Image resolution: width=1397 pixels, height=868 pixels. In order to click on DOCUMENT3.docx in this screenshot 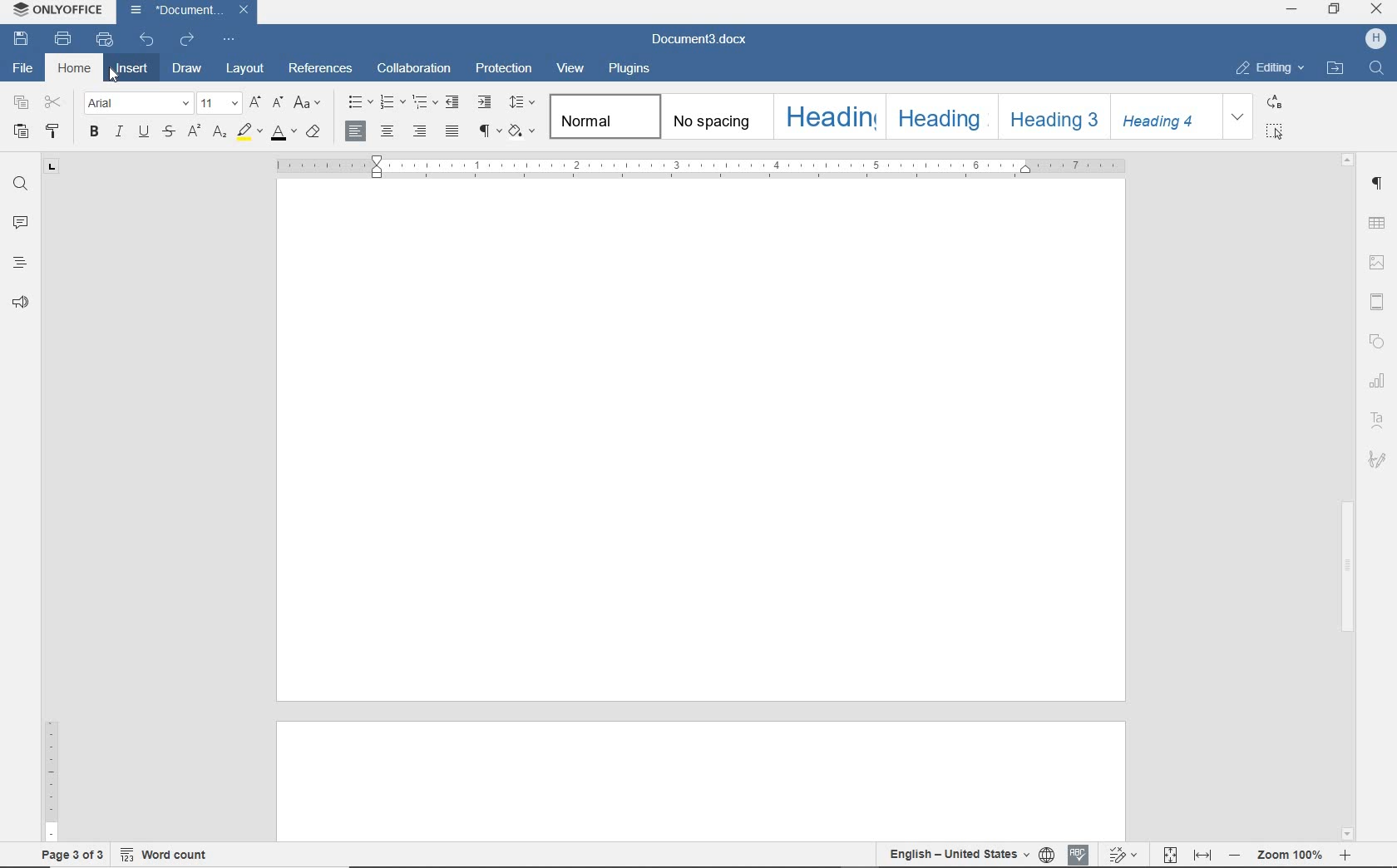, I will do `click(701, 40)`.